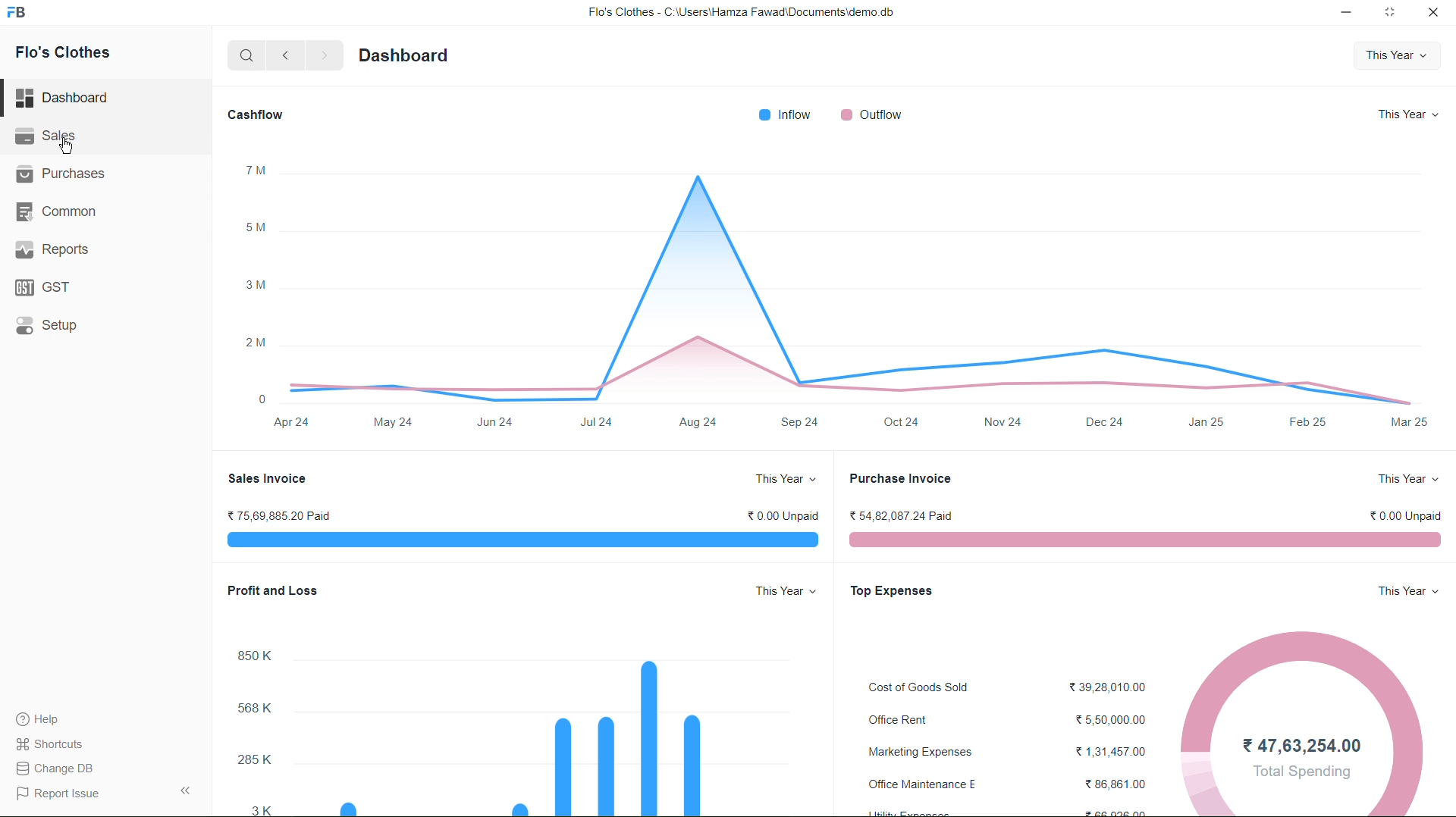 The height and width of the screenshot is (817, 1456). I want to click on Rs. 75,69,885.20 Paid, so click(281, 514).